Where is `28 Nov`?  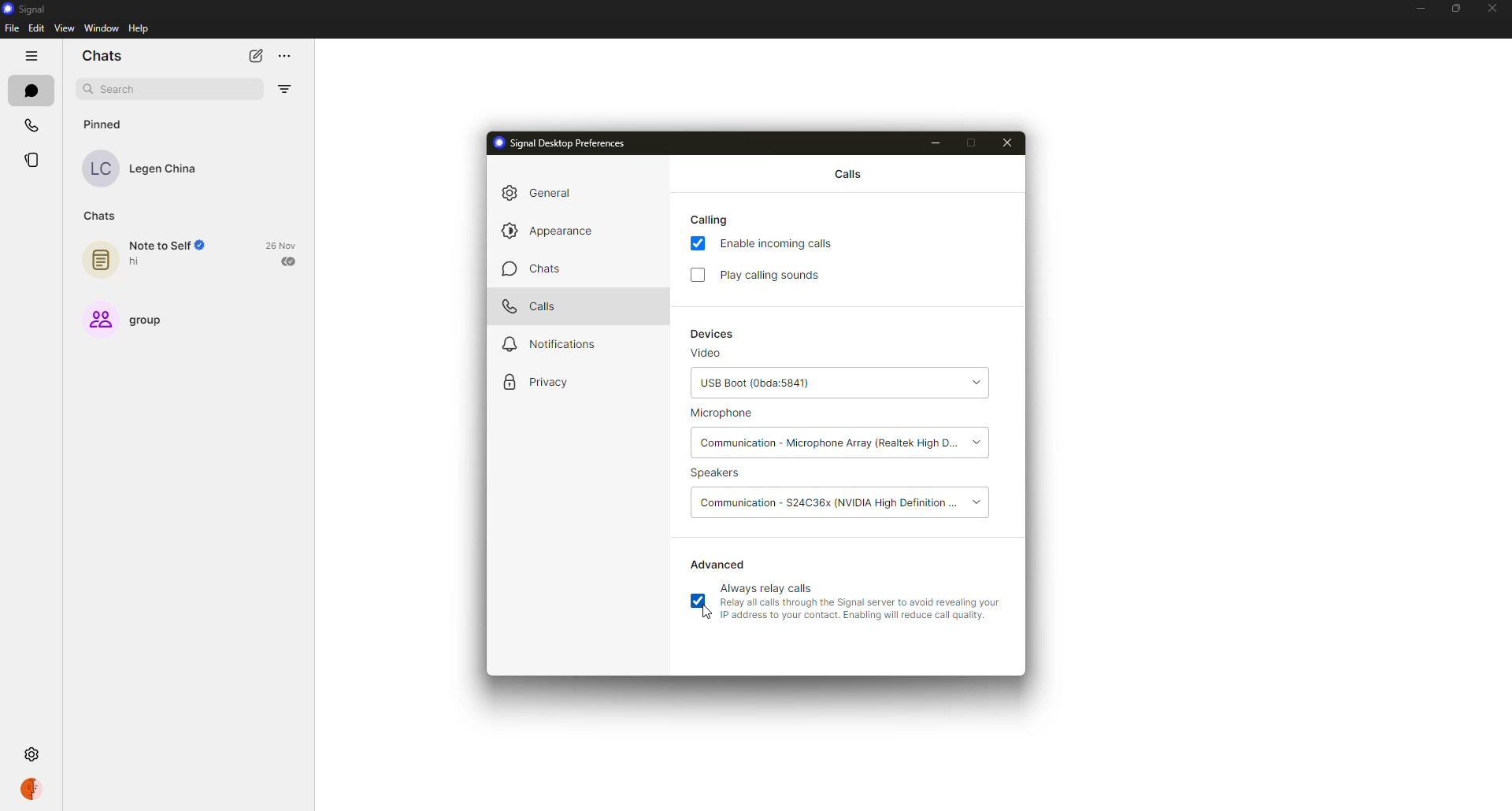
28 Nov is located at coordinates (282, 245).